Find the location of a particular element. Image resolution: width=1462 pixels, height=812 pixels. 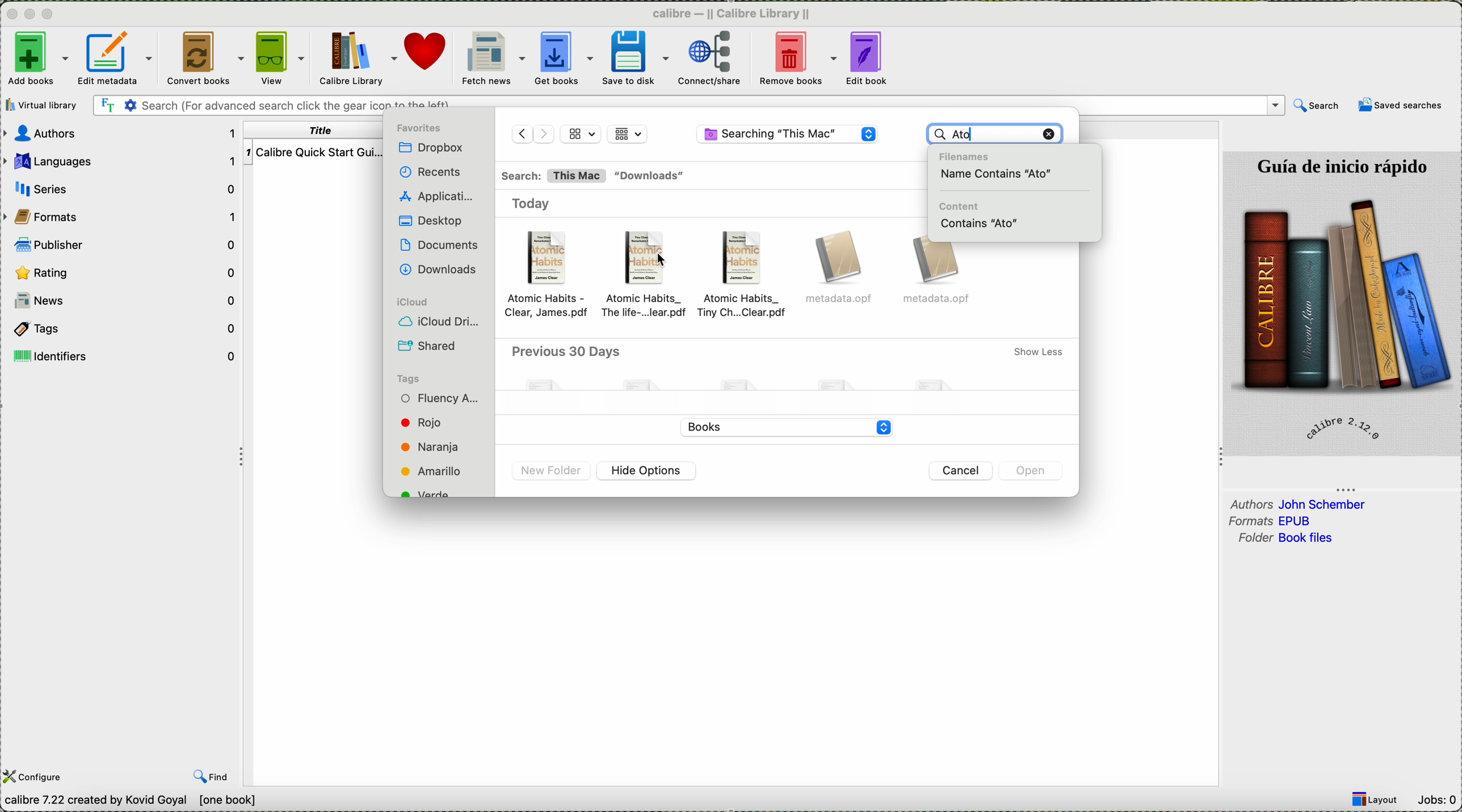

saved searches is located at coordinates (1400, 107).